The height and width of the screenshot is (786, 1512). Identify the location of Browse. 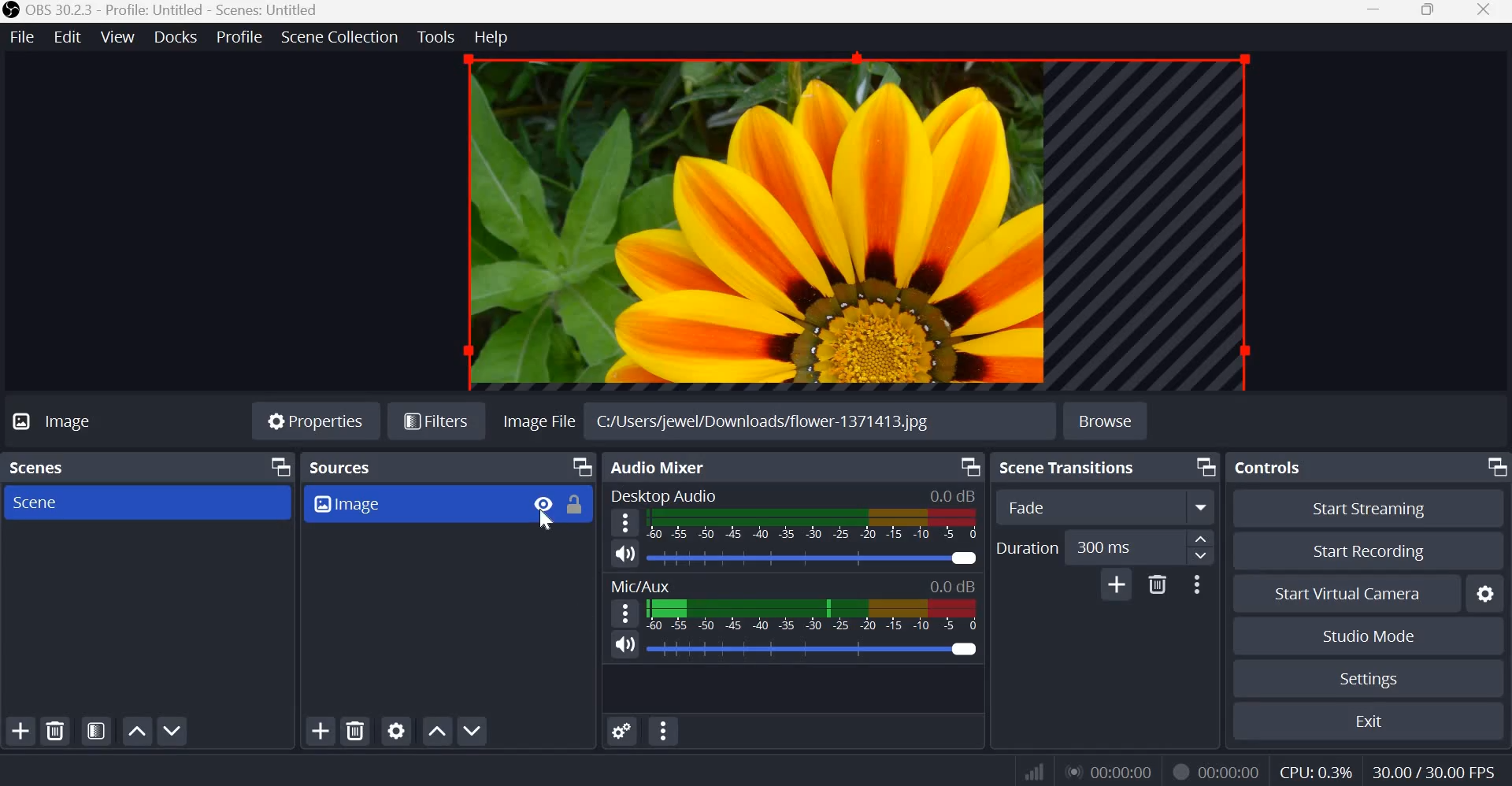
(1104, 421).